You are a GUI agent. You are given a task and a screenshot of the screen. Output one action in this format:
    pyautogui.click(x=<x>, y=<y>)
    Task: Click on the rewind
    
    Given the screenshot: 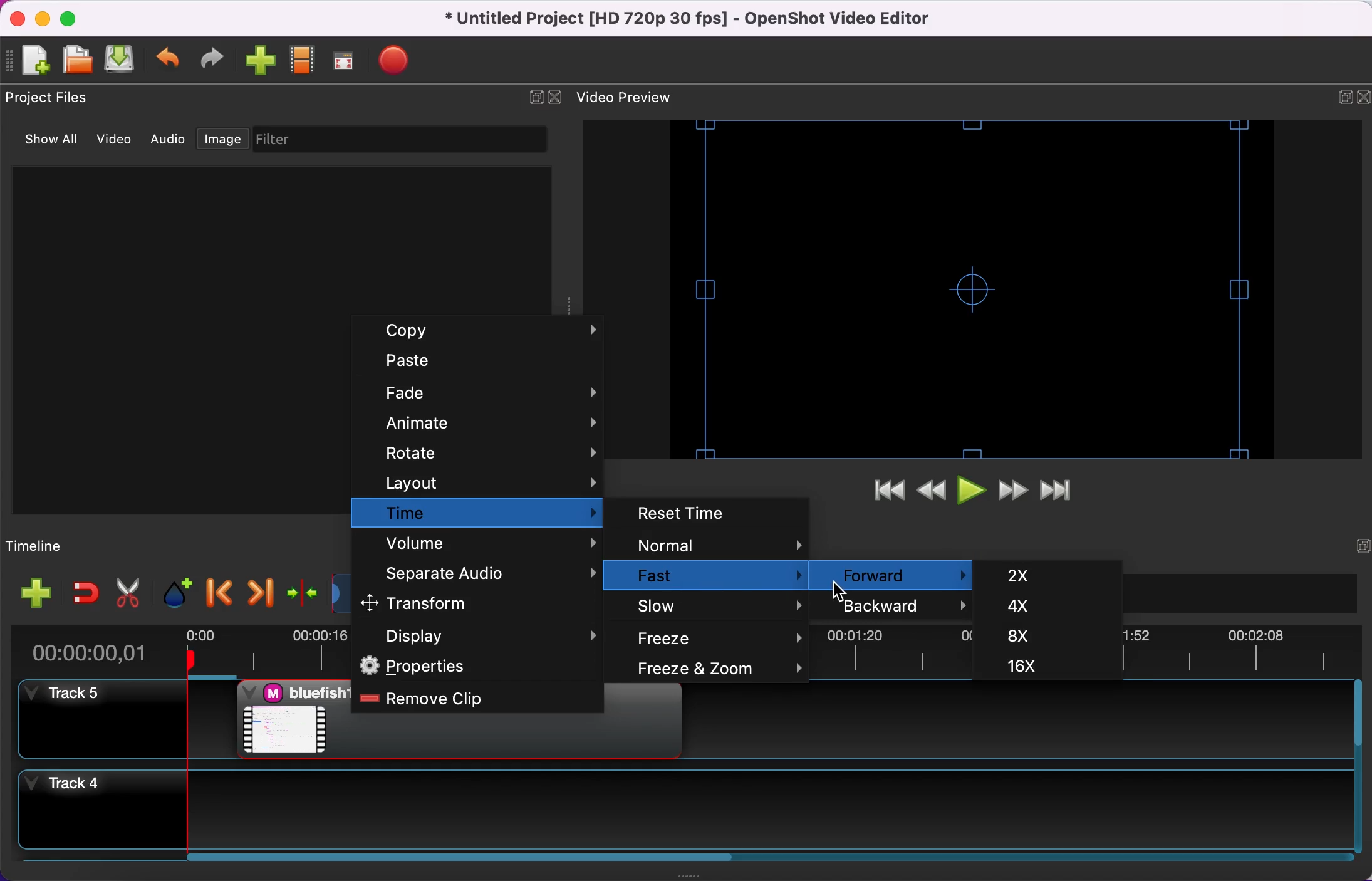 What is the action you would take?
    pyautogui.click(x=928, y=495)
    